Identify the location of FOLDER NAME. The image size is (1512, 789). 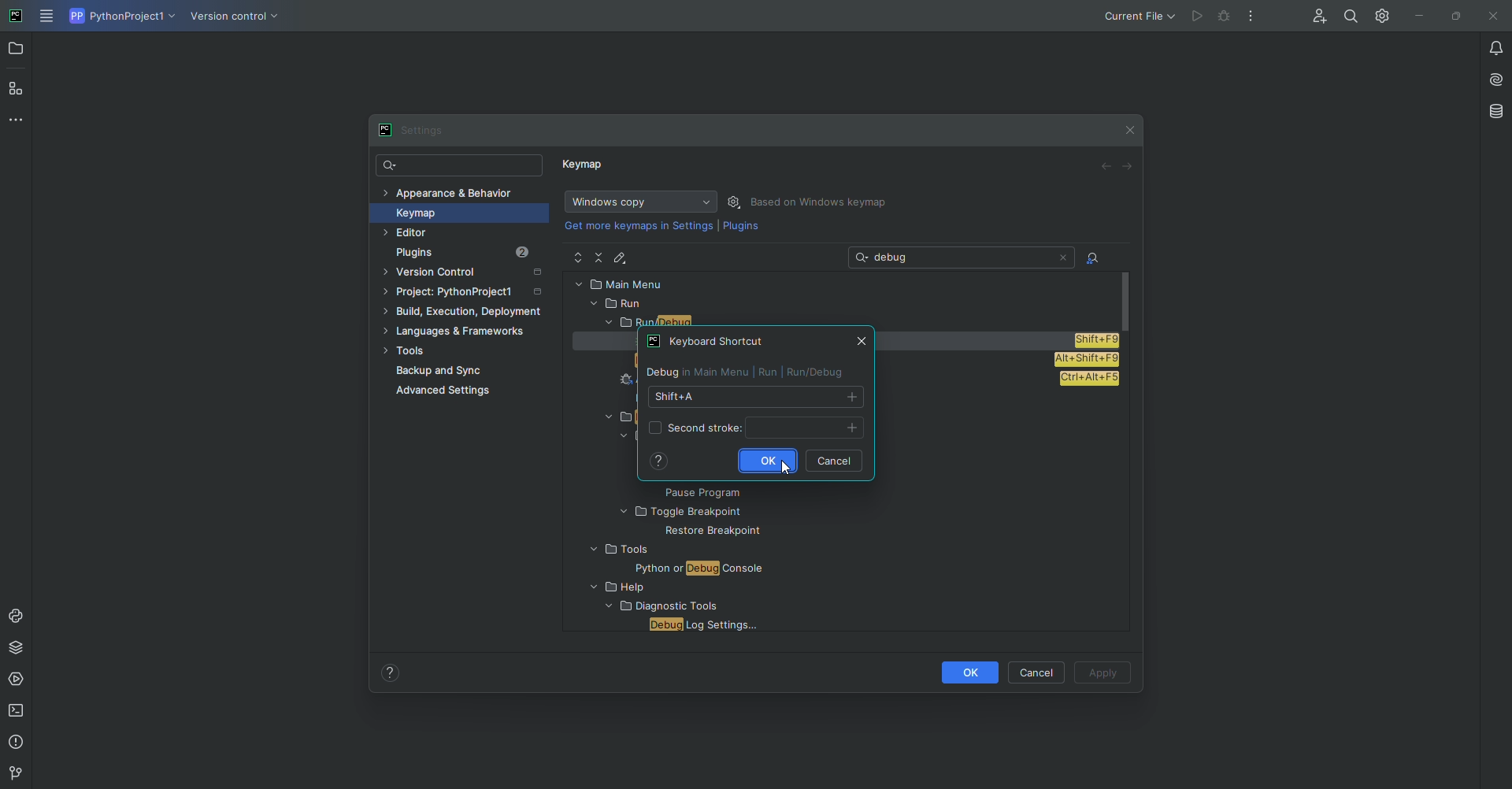
(658, 550).